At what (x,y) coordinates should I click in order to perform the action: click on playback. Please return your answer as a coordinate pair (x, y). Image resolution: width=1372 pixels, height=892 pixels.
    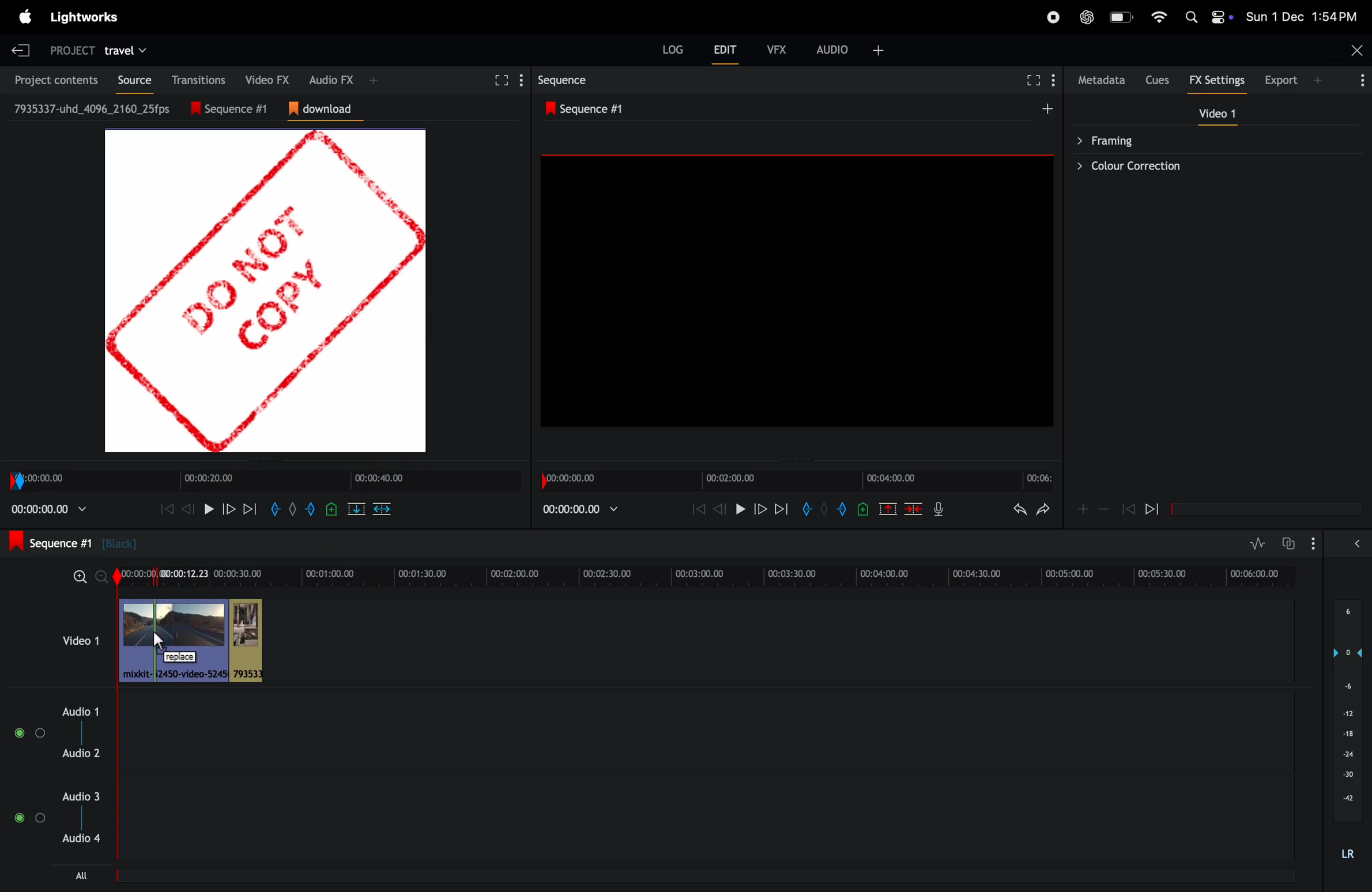
    Looking at the image, I should click on (49, 509).